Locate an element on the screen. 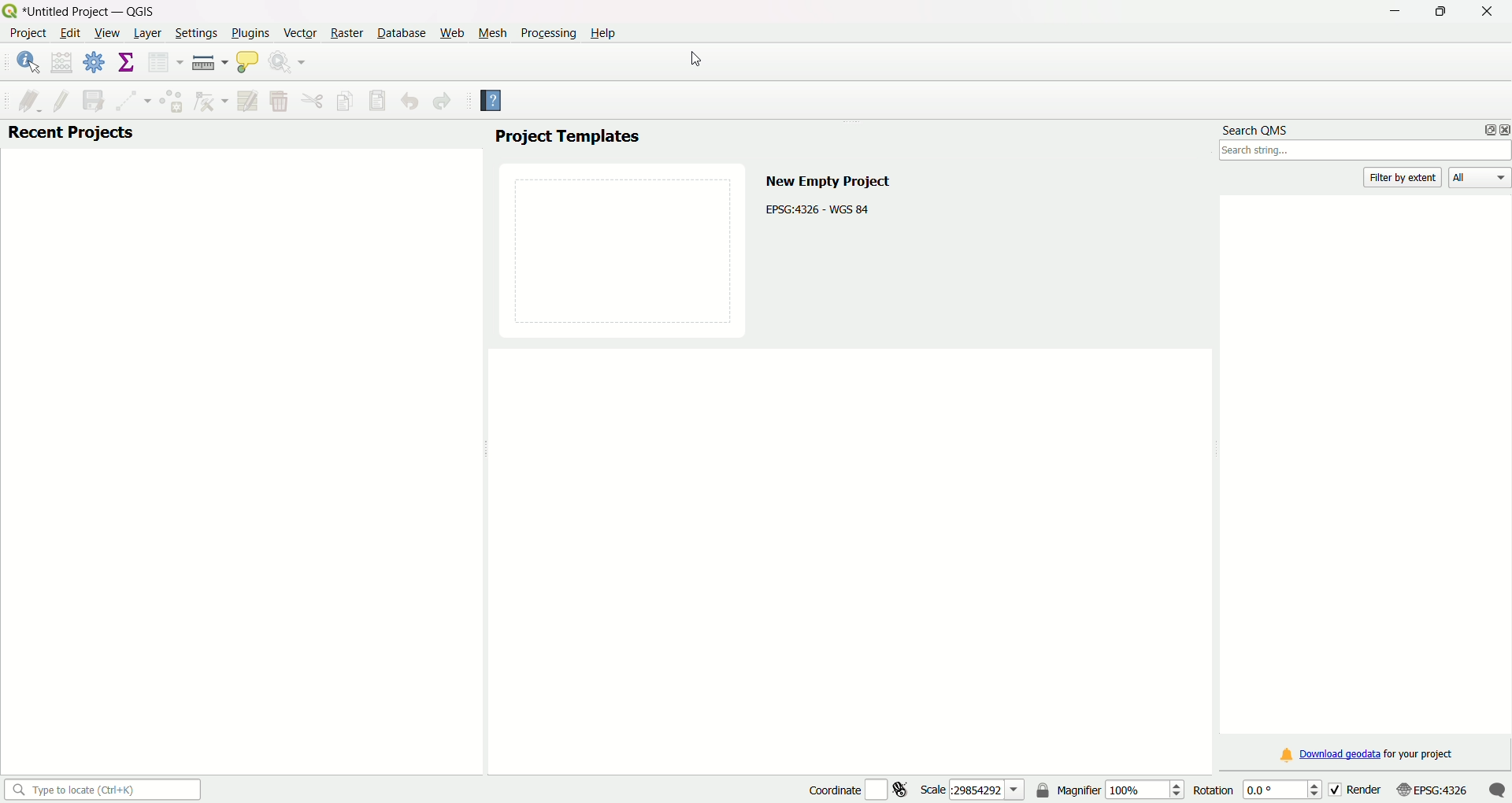 Image resolution: width=1512 pixels, height=803 pixels. digitized with segment is located at coordinates (129, 100).